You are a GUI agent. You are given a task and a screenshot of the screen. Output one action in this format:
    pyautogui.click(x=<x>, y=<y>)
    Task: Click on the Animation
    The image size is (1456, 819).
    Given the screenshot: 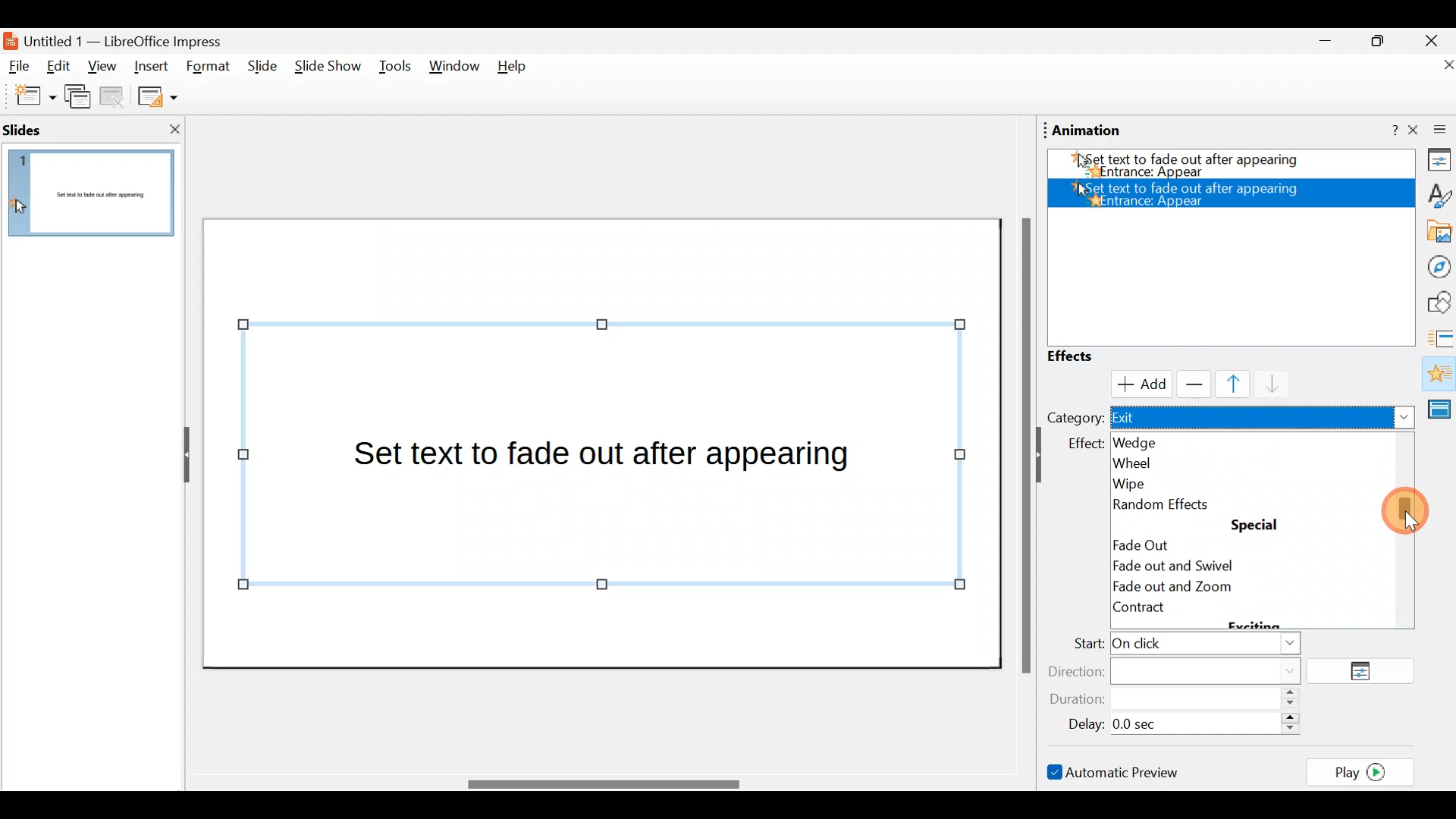 What is the action you would take?
    pyautogui.click(x=1087, y=130)
    